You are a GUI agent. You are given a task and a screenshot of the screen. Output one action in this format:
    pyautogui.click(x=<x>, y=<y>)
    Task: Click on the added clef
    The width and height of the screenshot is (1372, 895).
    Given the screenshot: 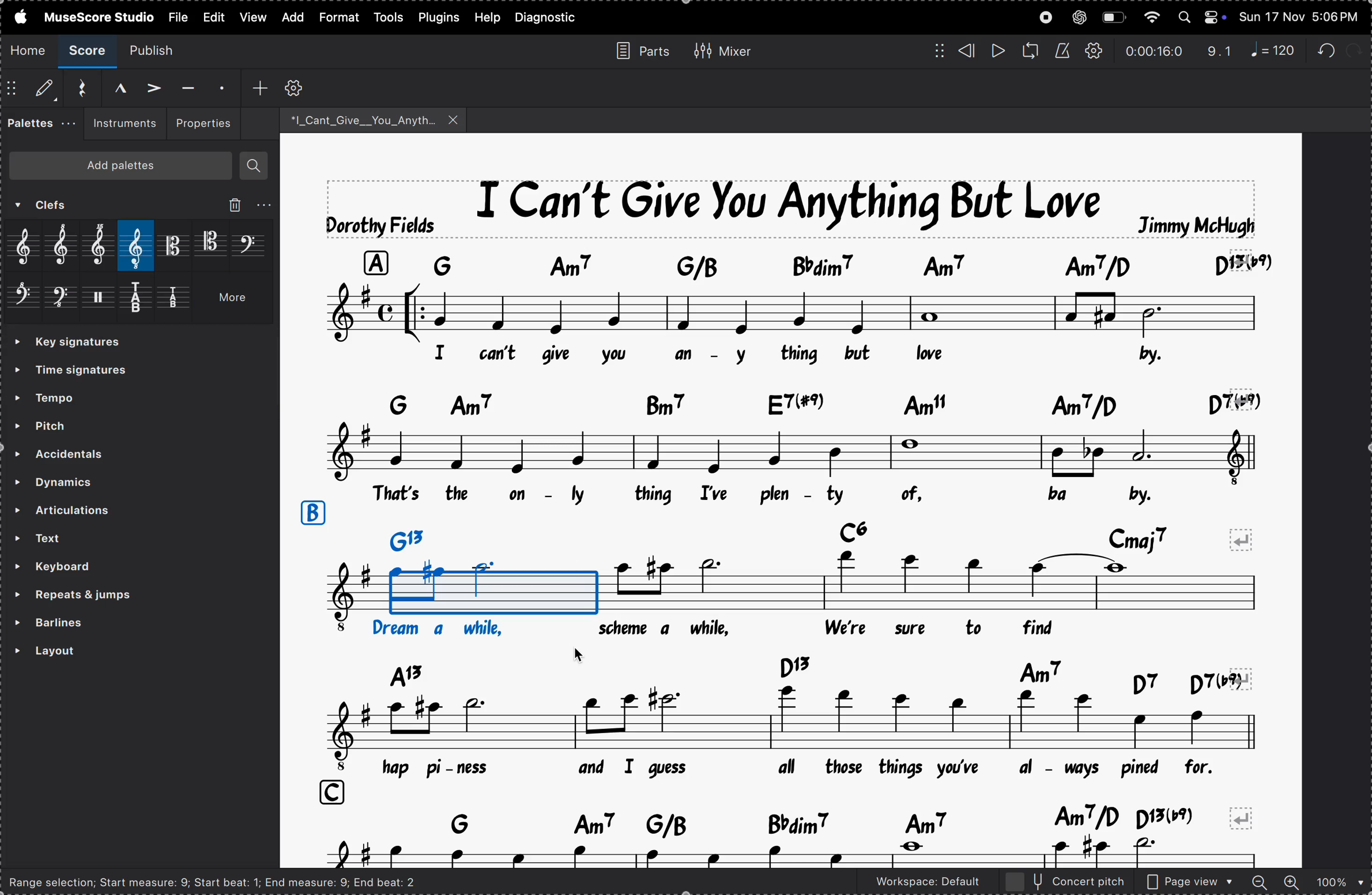 What is the action you would take?
    pyautogui.click(x=488, y=589)
    